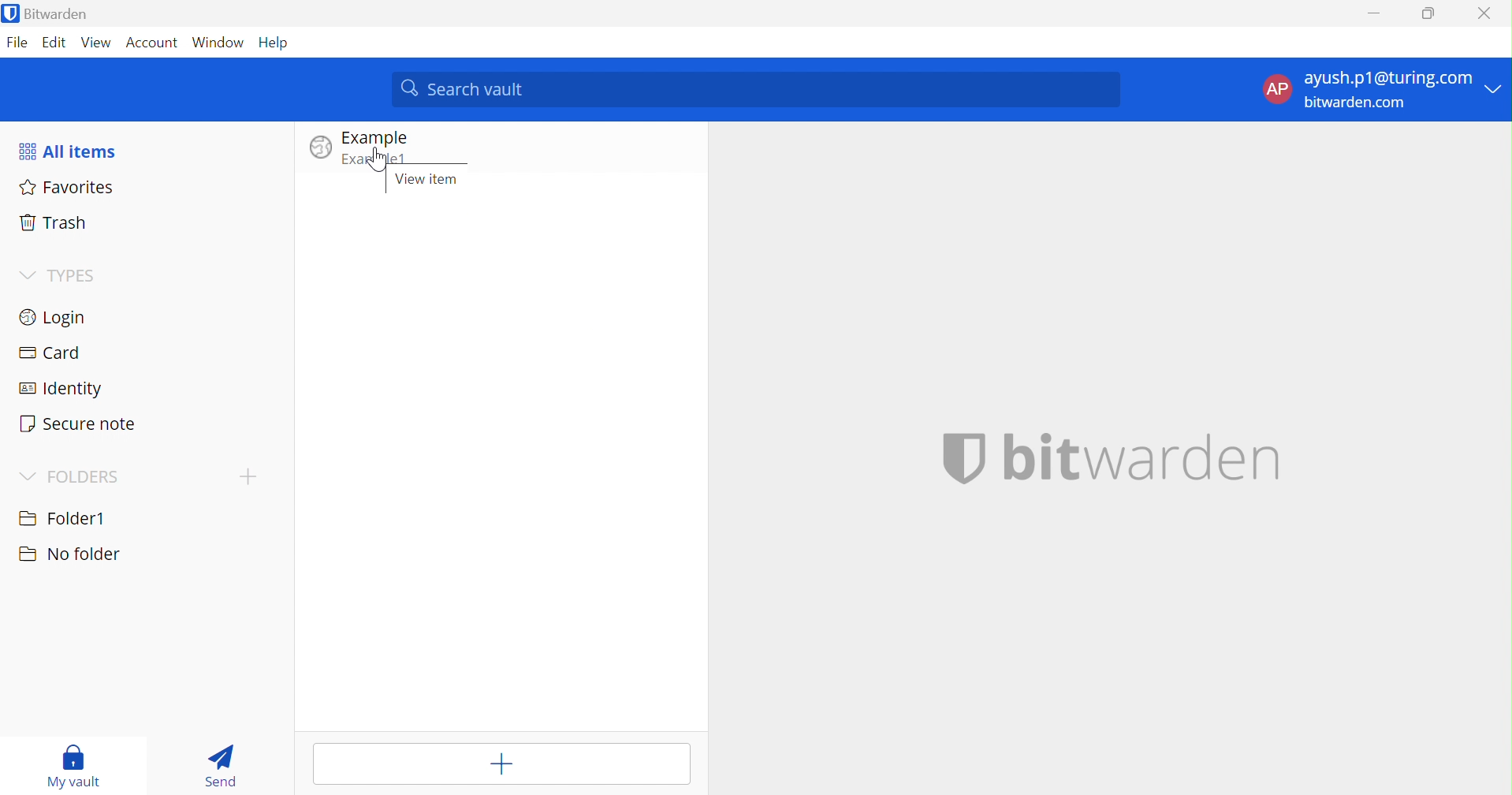  I want to click on AP, so click(1277, 90).